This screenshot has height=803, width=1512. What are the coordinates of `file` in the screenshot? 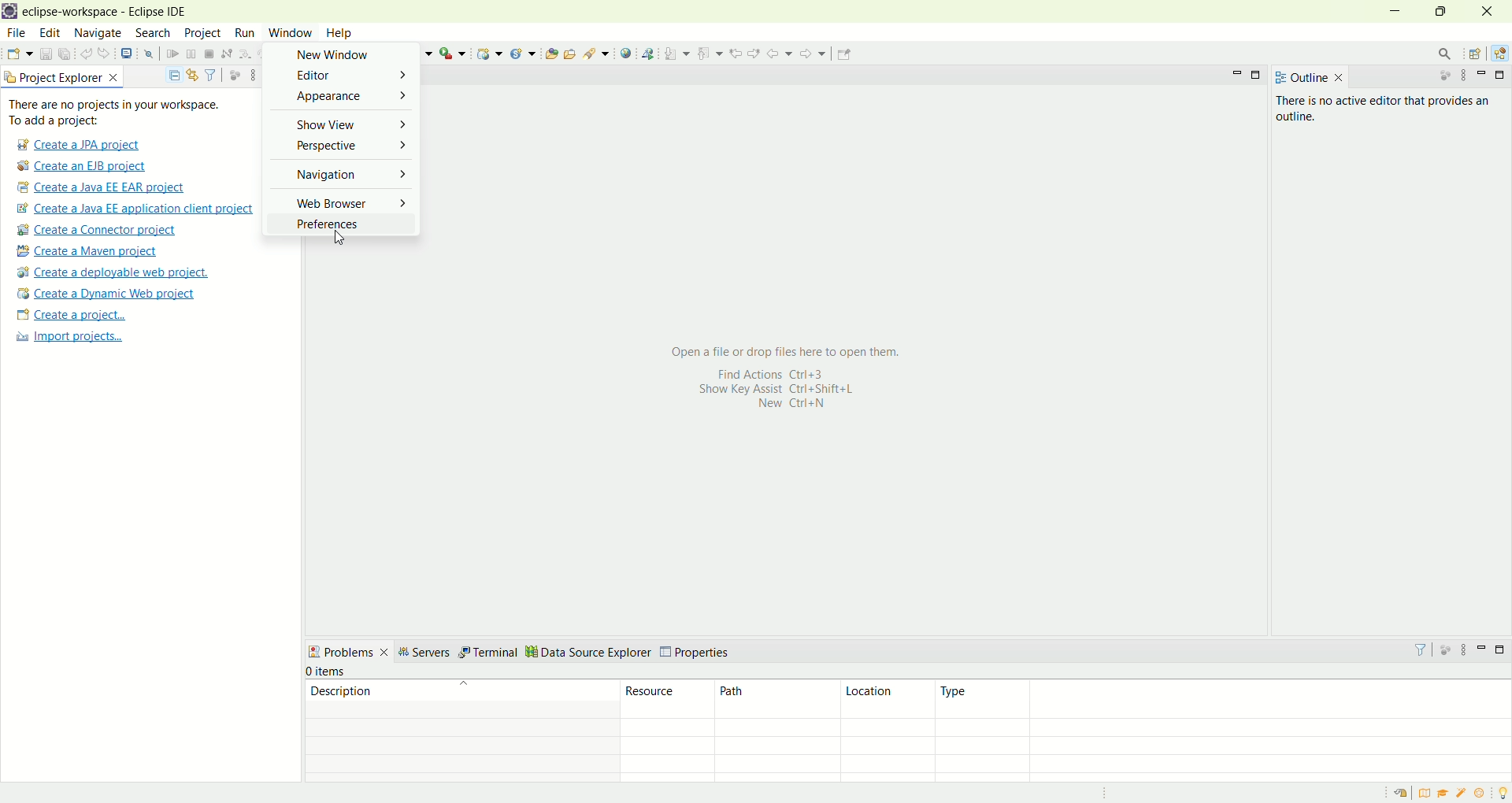 It's located at (15, 34).